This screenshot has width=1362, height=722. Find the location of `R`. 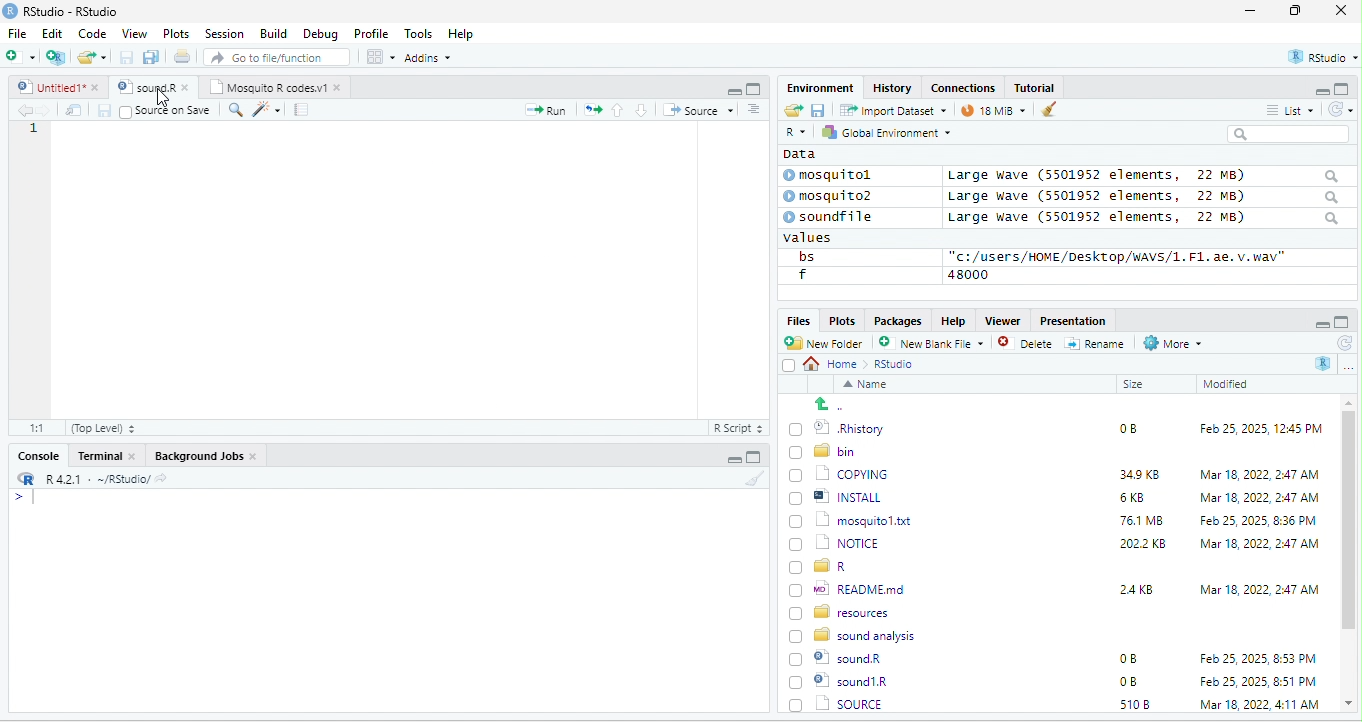

R is located at coordinates (794, 133).